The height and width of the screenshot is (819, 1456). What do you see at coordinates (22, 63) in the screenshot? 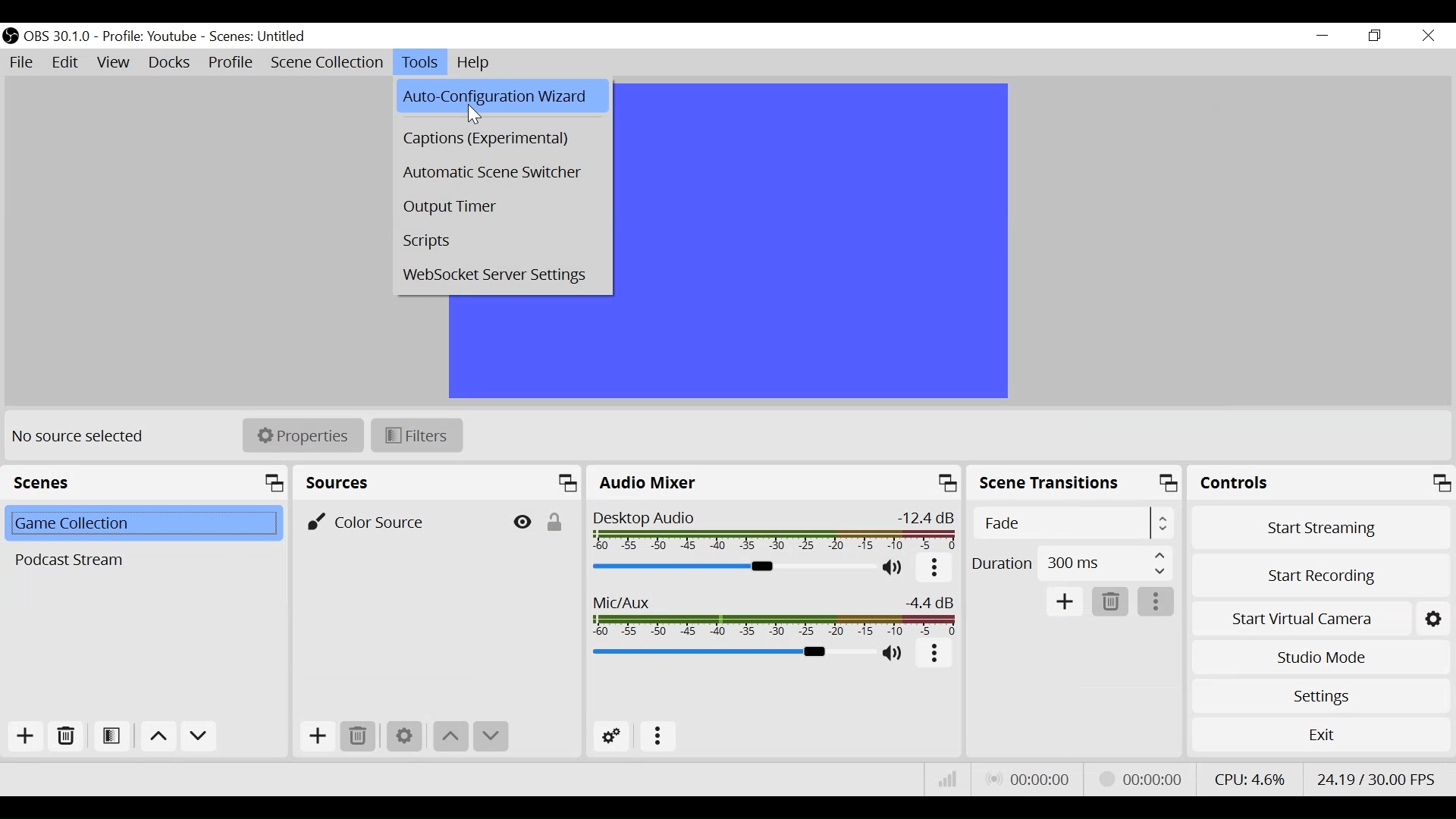
I see `File` at bounding box center [22, 63].